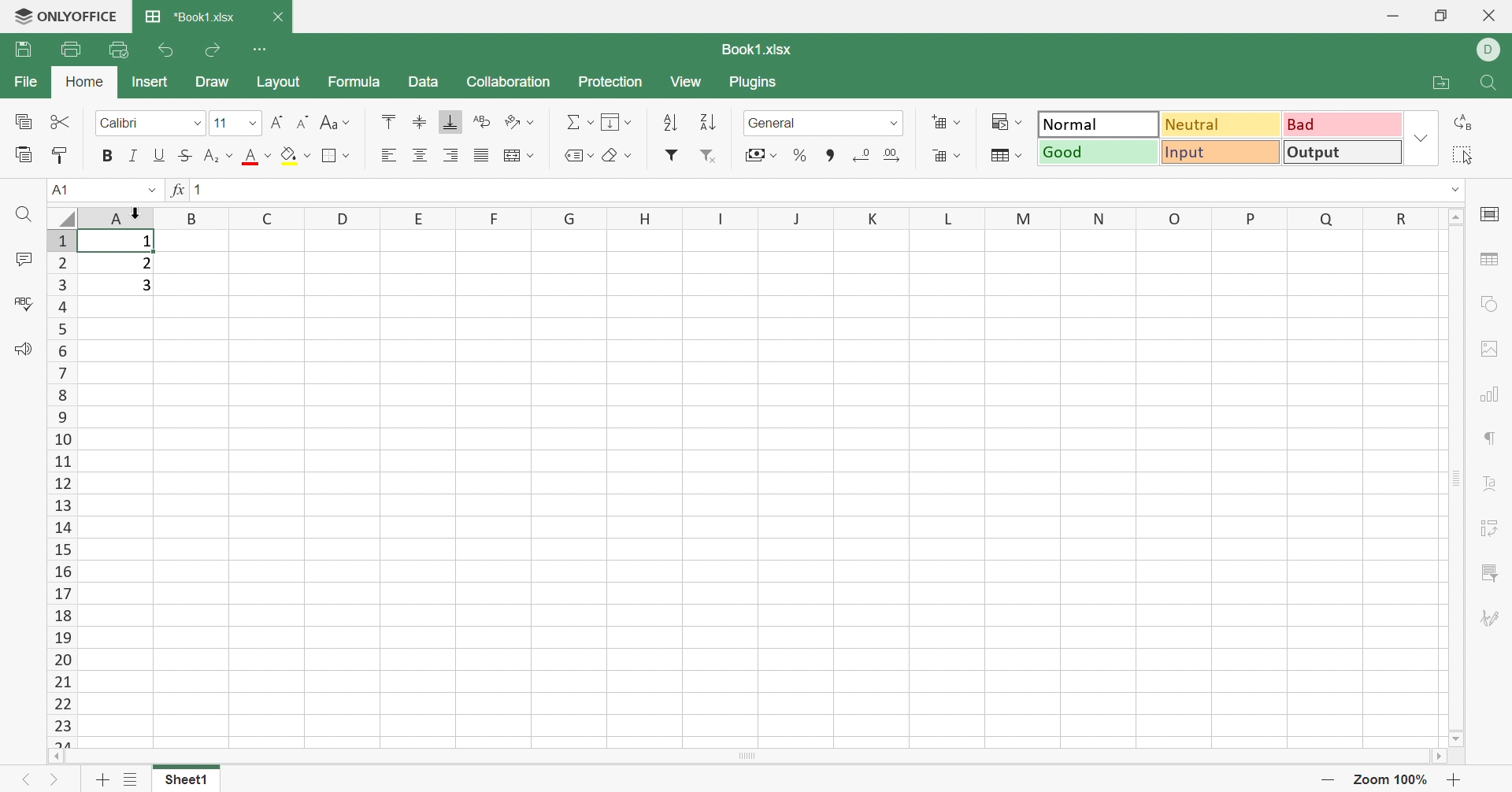 The width and height of the screenshot is (1512, 792). What do you see at coordinates (1455, 739) in the screenshot?
I see `Scroll down` at bounding box center [1455, 739].